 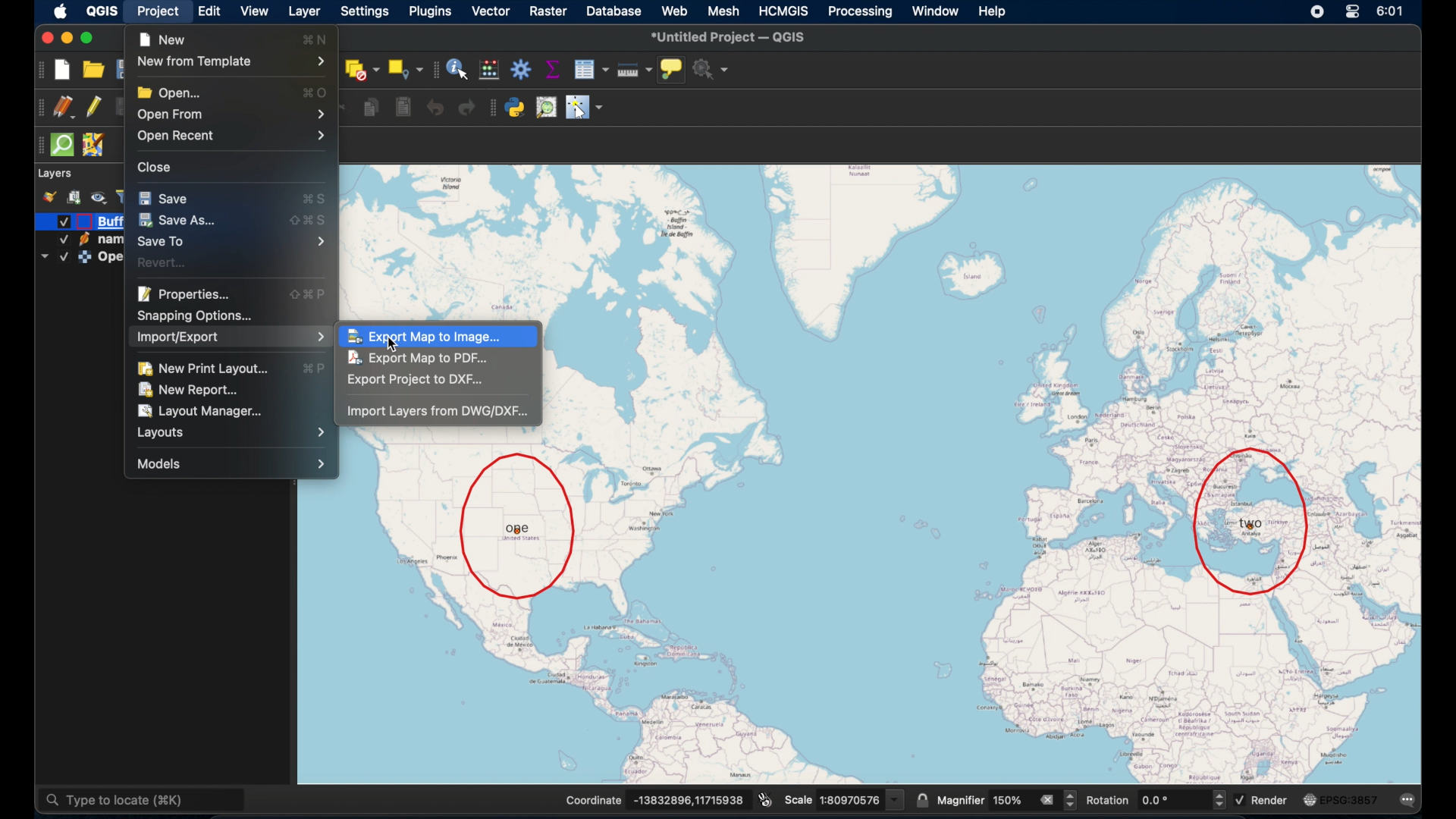 I want to click on cursor, so click(x=397, y=347).